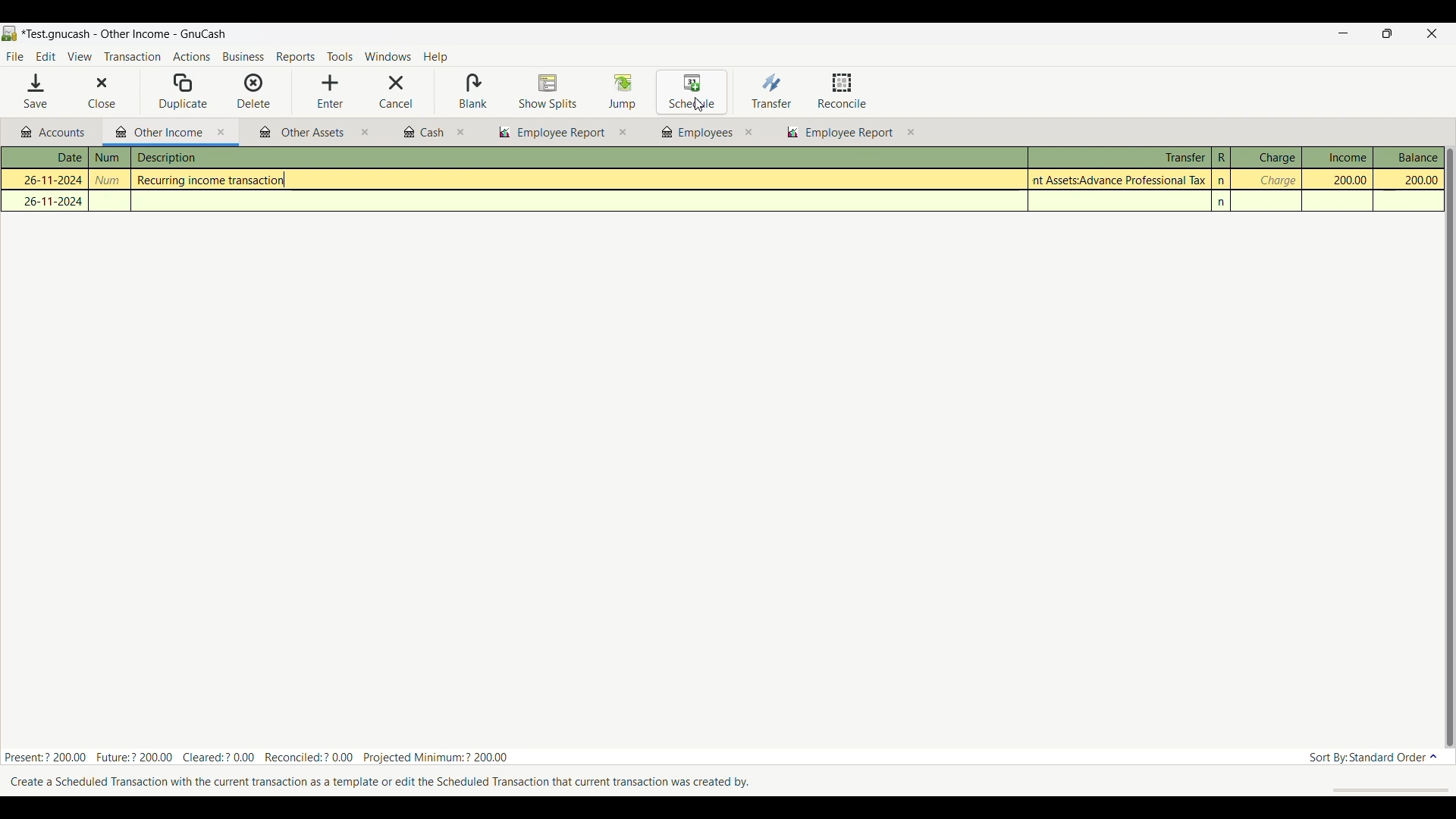 Image resolution: width=1456 pixels, height=819 pixels. Describe the element at coordinates (422, 133) in the screenshot. I see `cash` at that location.